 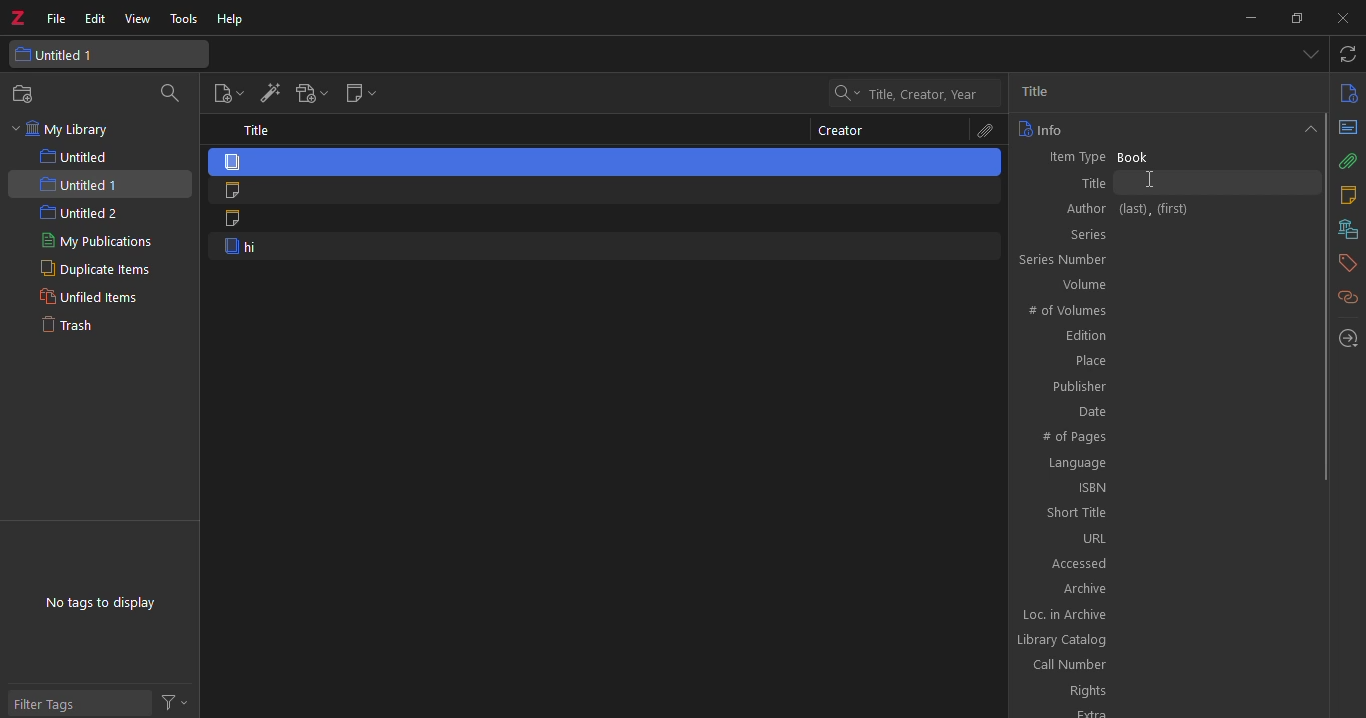 I want to click on library, so click(x=1345, y=229).